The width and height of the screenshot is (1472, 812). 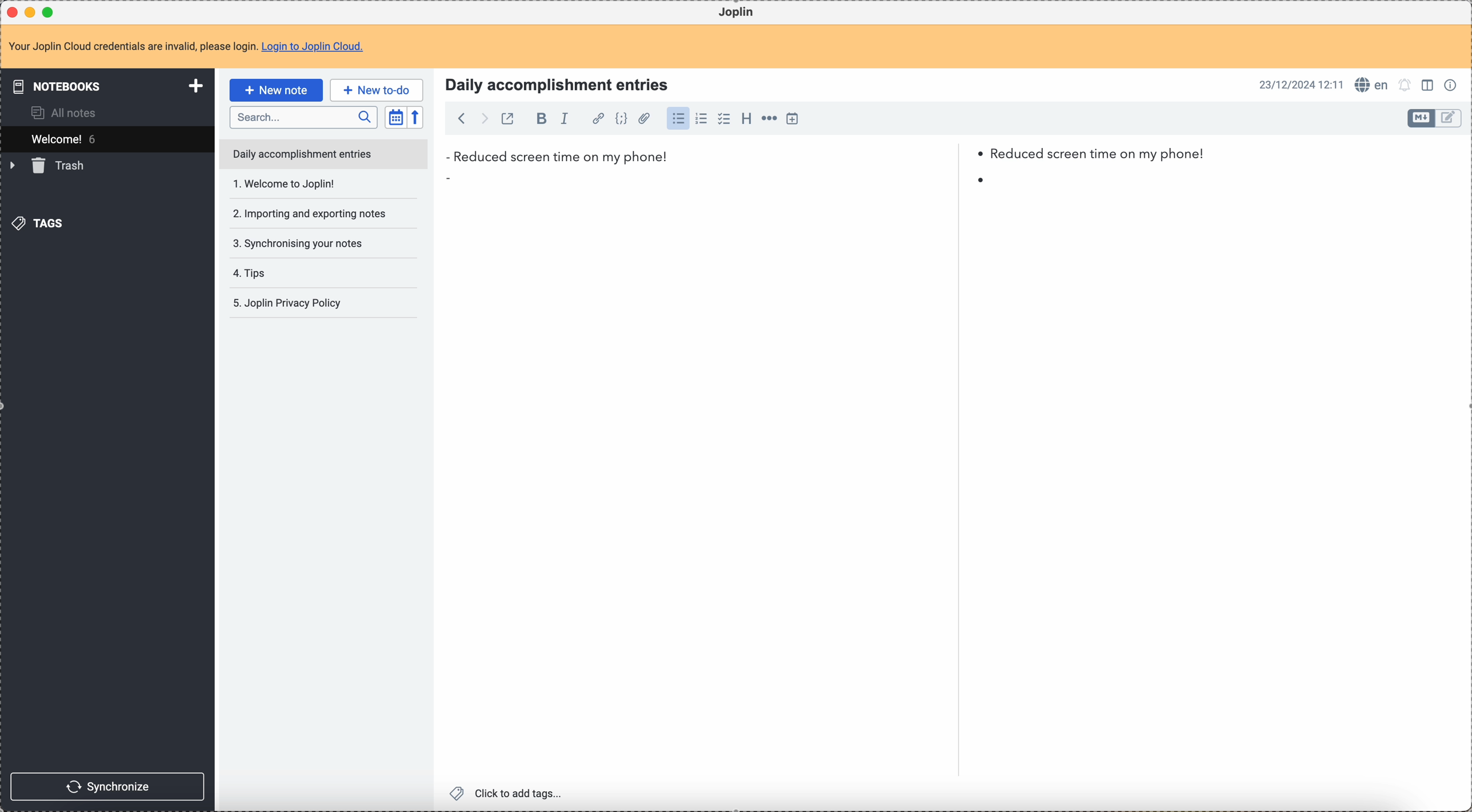 I want to click on code, so click(x=621, y=119).